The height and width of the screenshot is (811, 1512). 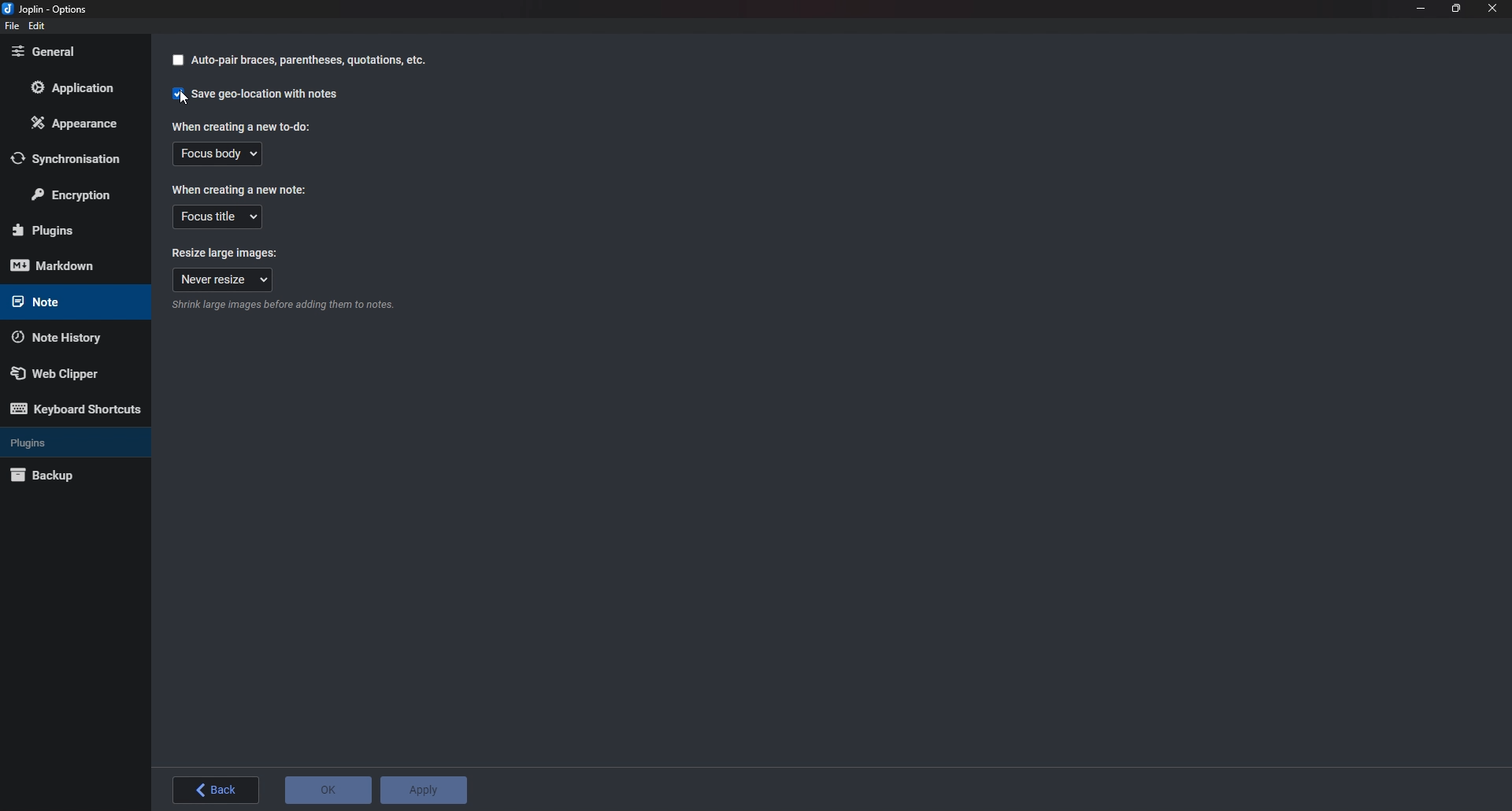 What do you see at coordinates (54, 10) in the screenshot?
I see `Joplin` at bounding box center [54, 10].